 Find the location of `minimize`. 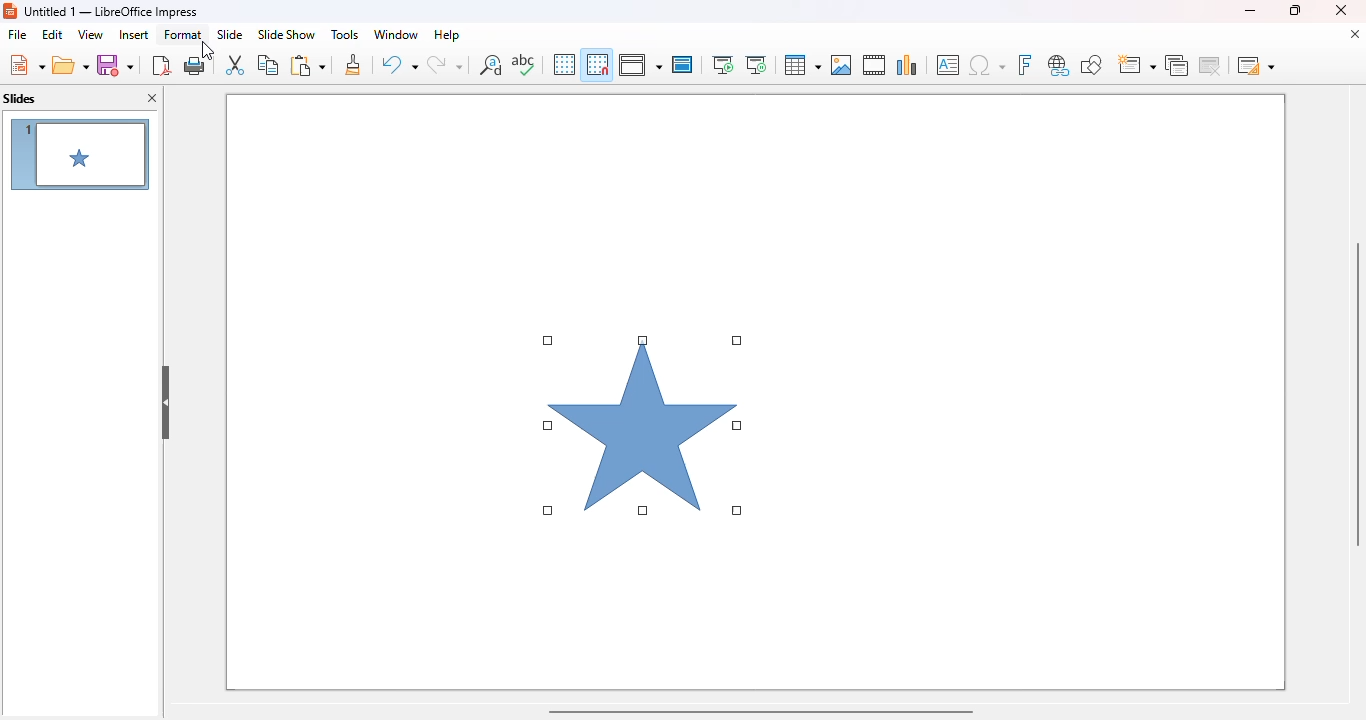

minimize is located at coordinates (1249, 10).